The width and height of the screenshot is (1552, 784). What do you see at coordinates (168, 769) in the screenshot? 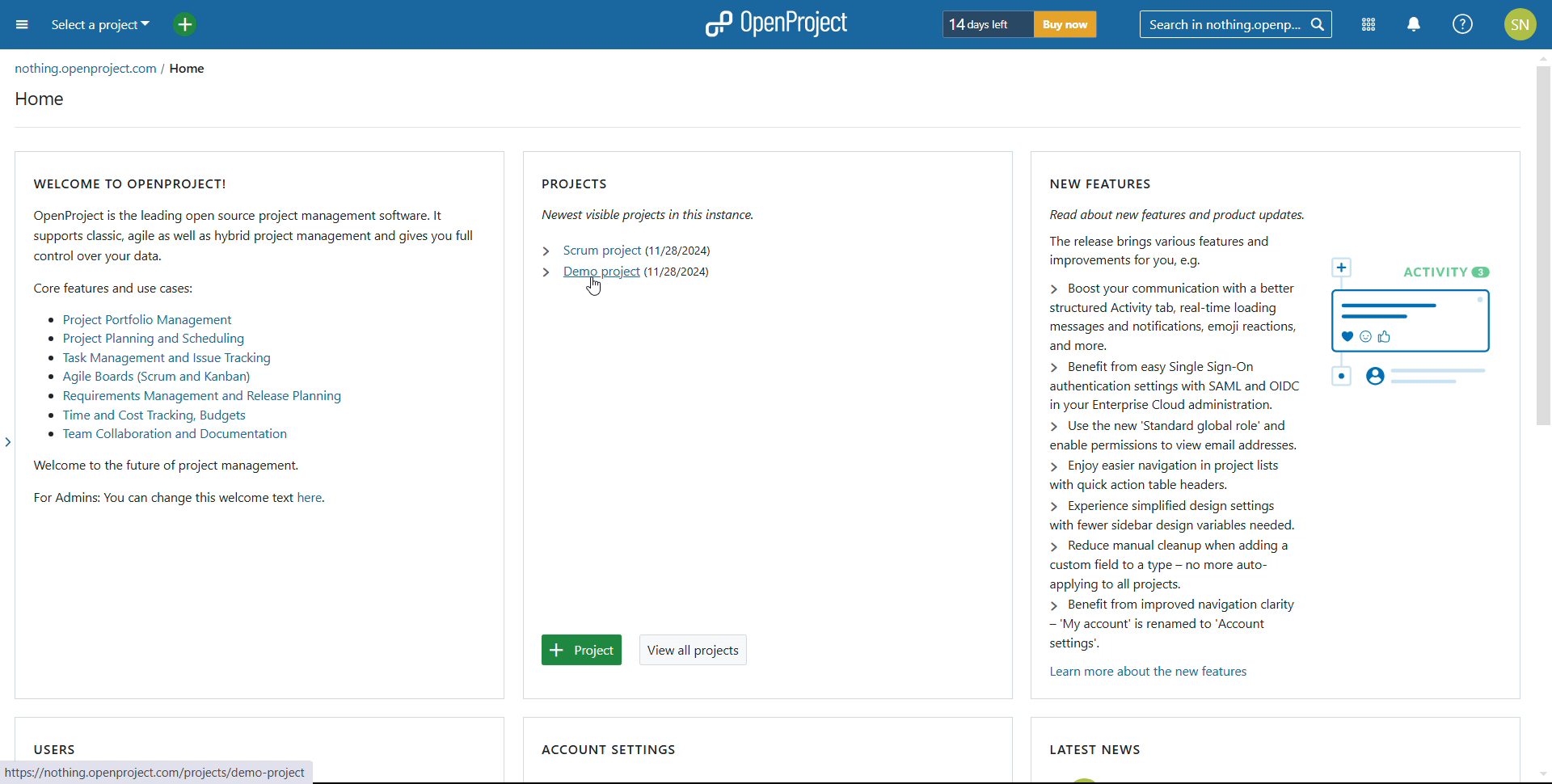
I see `web address` at bounding box center [168, 769].